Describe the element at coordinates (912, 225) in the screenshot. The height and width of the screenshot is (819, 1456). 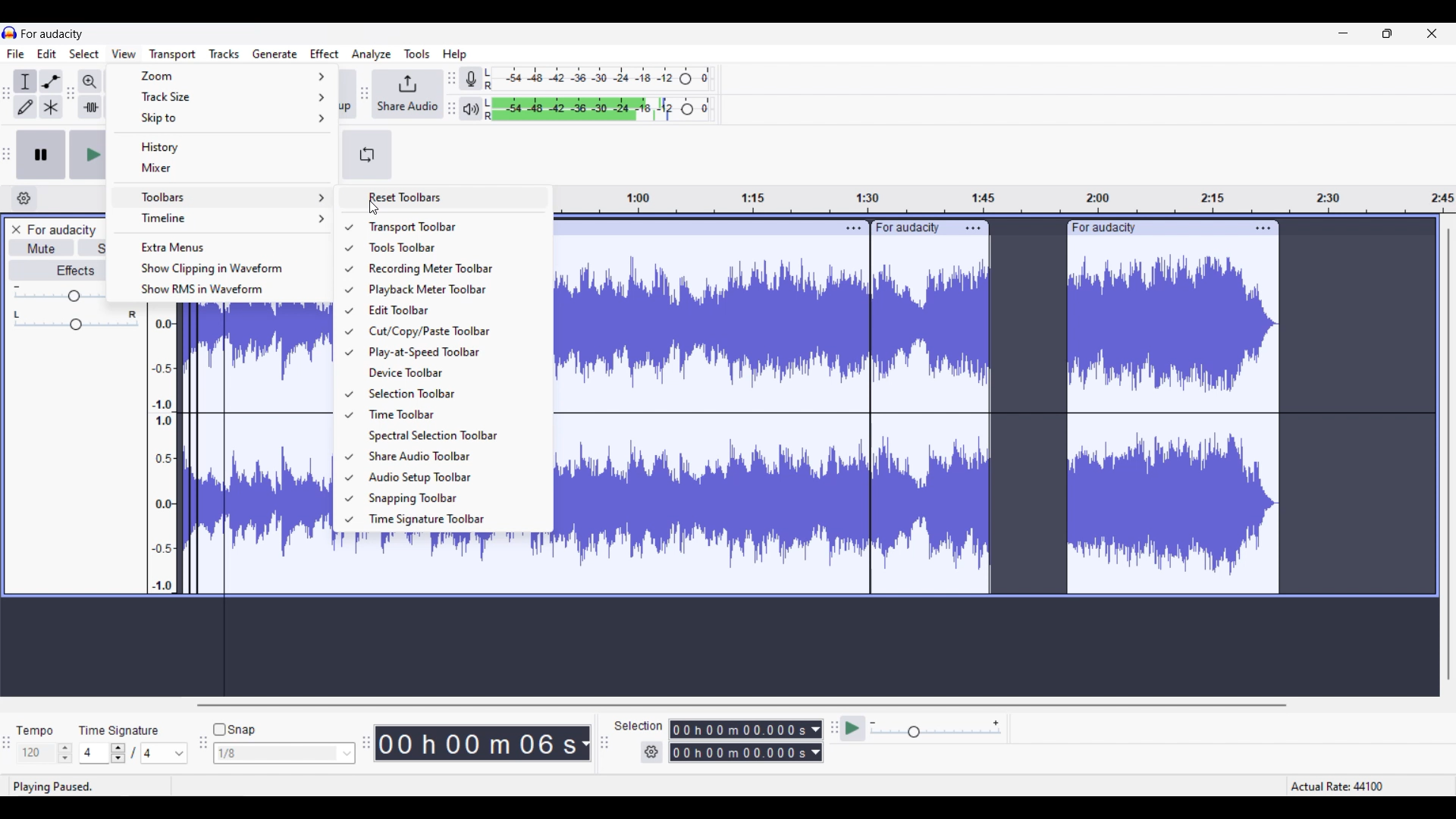
I see `click to drag` at that location.